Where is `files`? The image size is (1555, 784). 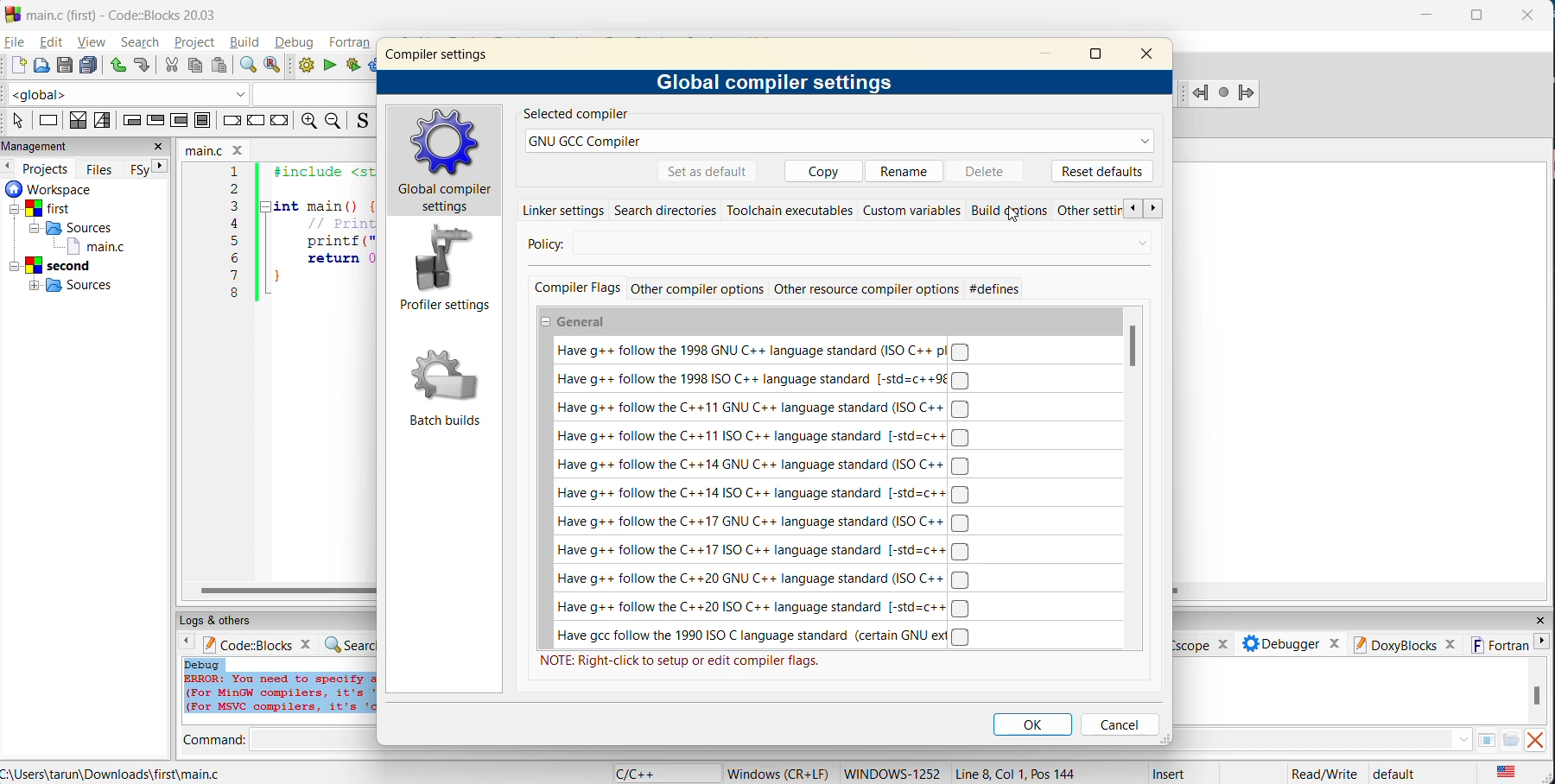 files is located at coordinates (103, 168).